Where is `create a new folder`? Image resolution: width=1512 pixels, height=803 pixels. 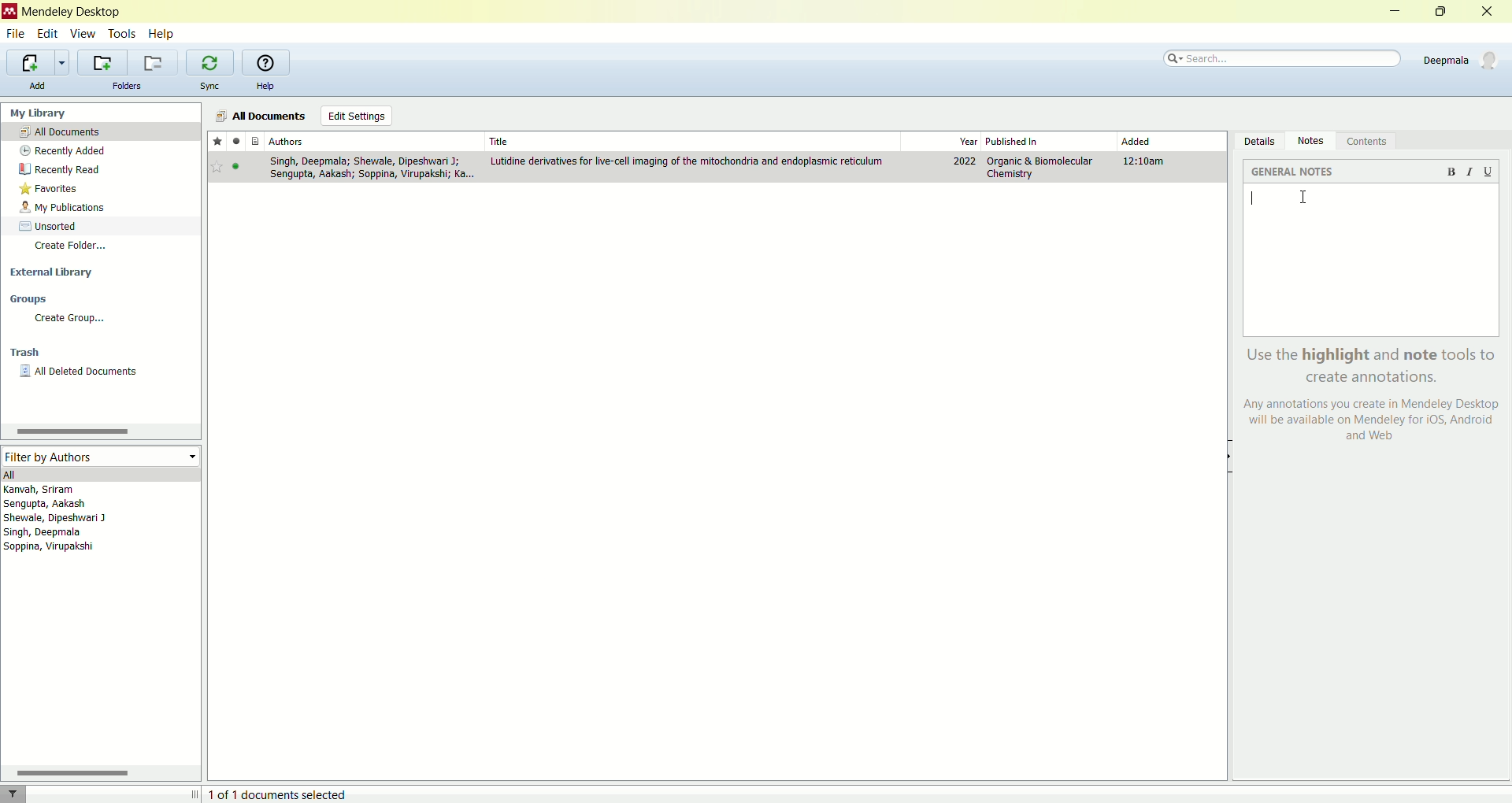
create a new folder is located at coordinates (99, 61).